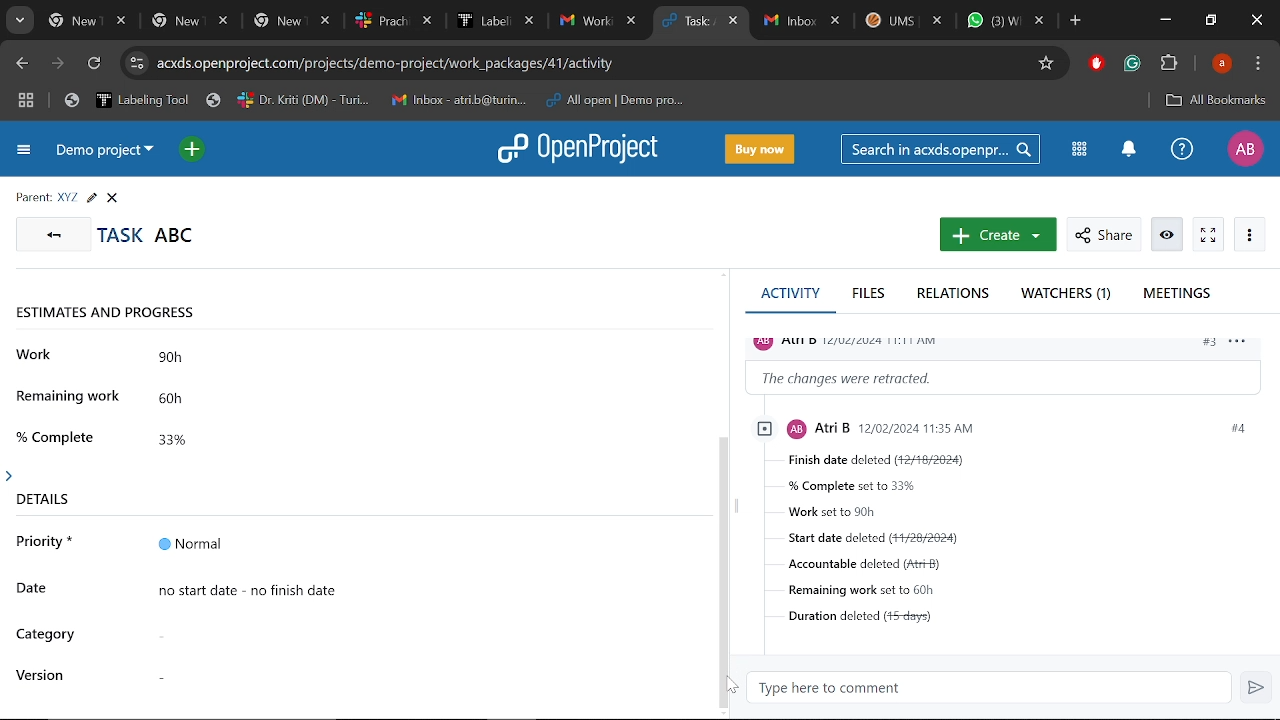  What do you see at coordinates (958, 295) in the screenshot?
I see `Relations` at bounding box center [958, 295].